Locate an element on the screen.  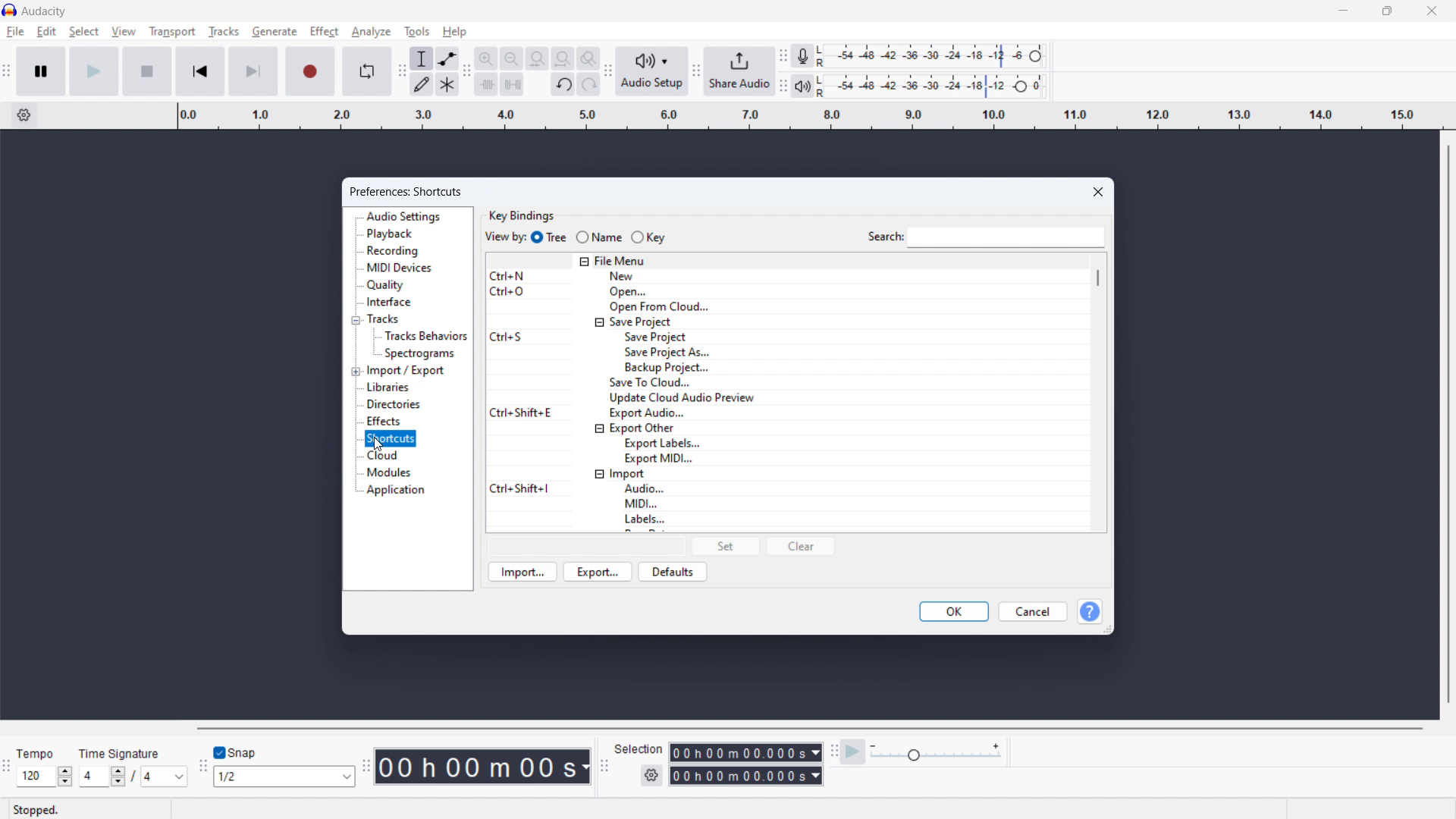
key is located at coordinates (651, 237).